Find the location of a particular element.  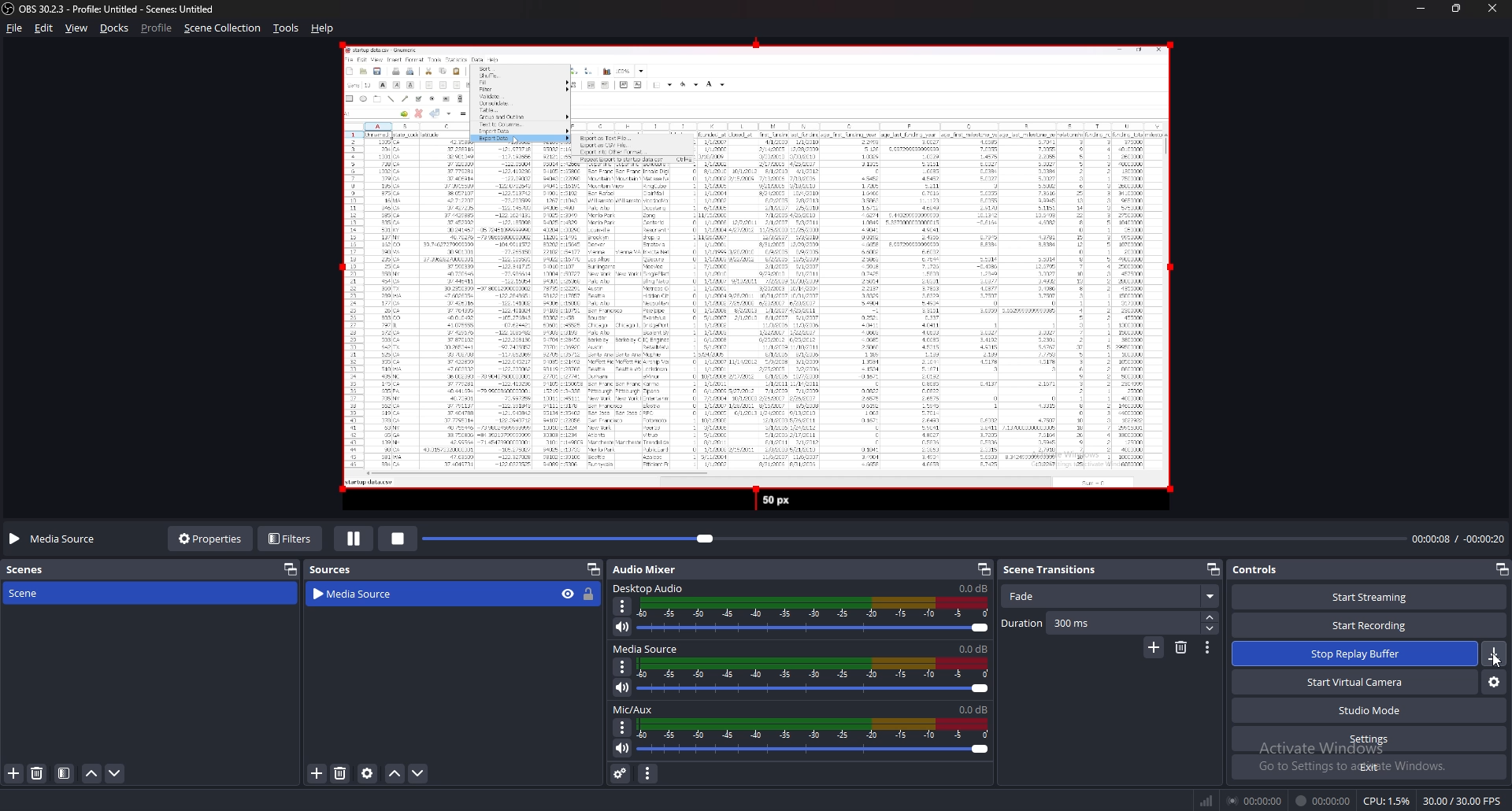

options is located at coordinates (624, 606).